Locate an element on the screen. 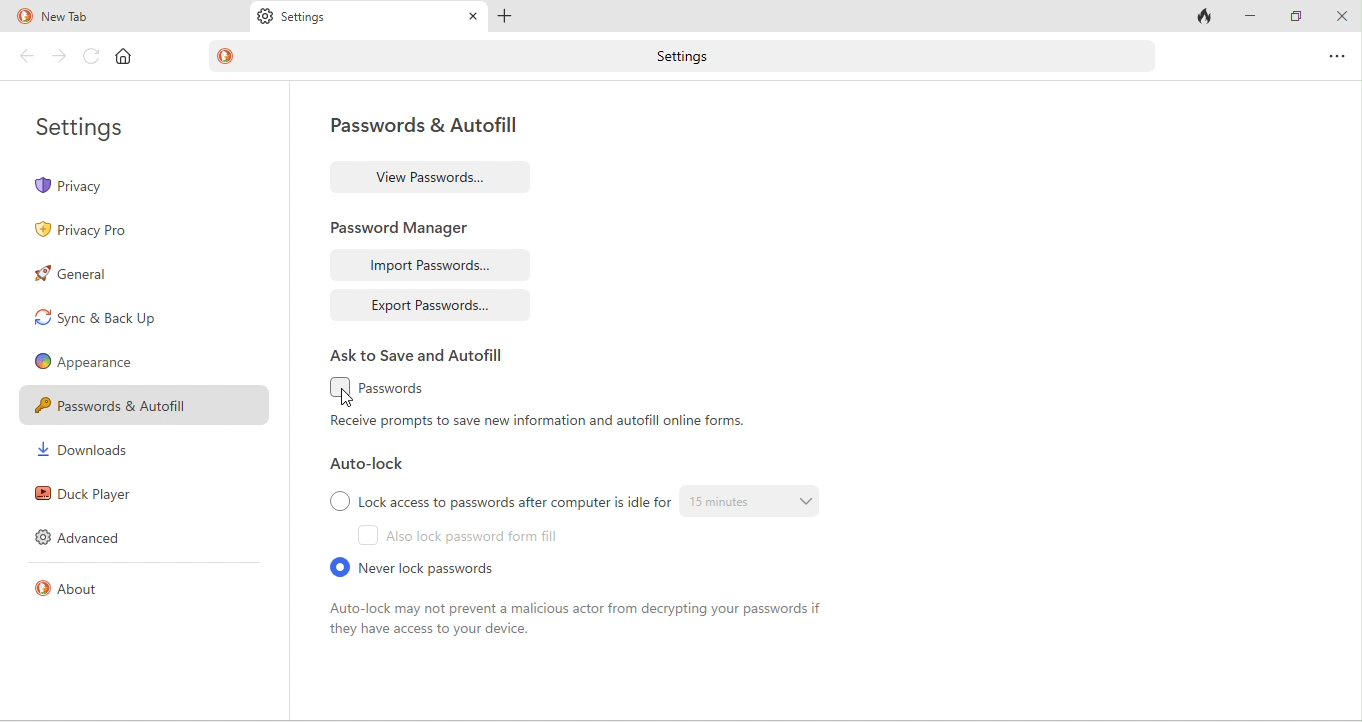 This screenshot has width=1362, height=722. auto look may not prevent a malicious actor from decrypting your passwords if they have access to your device is located at coordinates (582, 624).